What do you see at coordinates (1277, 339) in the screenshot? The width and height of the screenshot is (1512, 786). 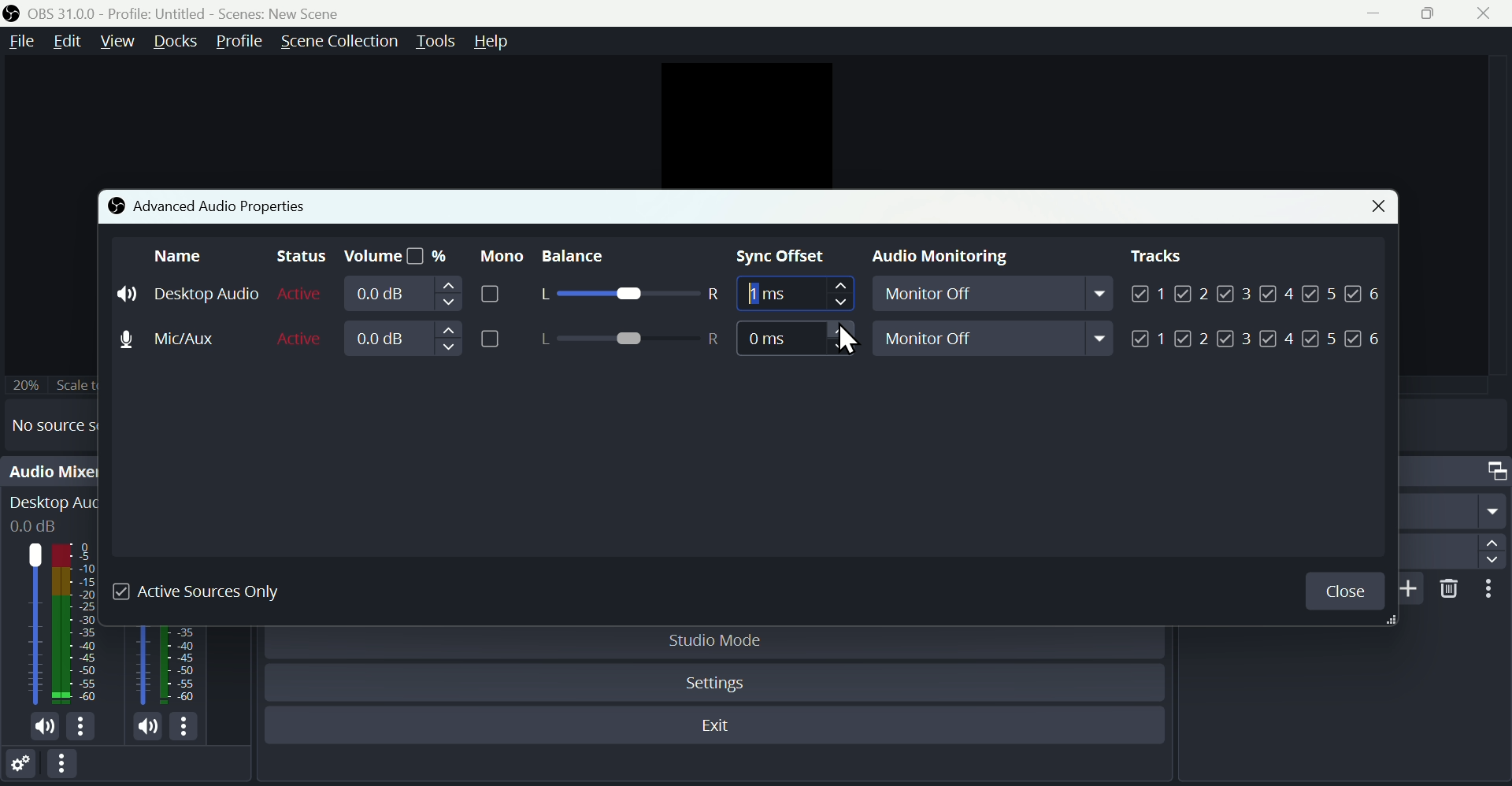 I see `(un)check Track 4` at bounding box center [1277, 339].